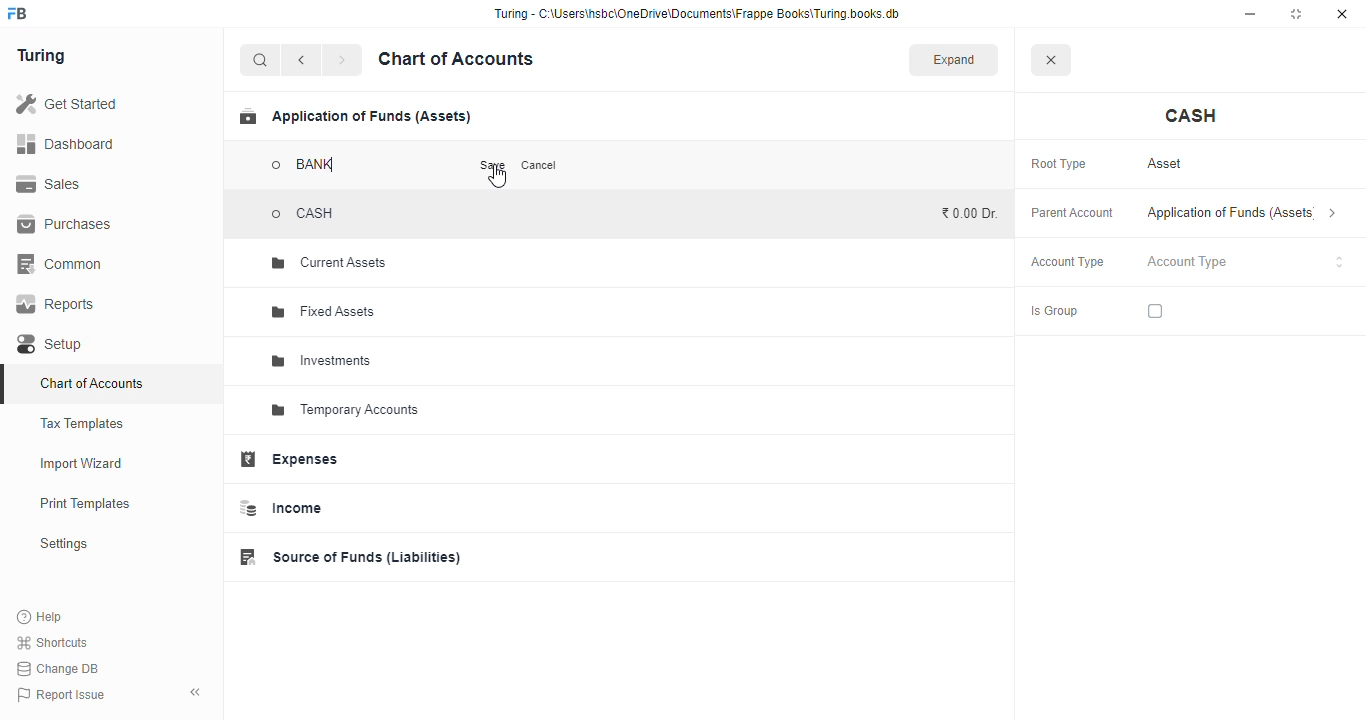 The height and width of the screenshot is (720, 1366). Describe the element at coordinates (288, 459) in the screenshot. I see `expenses` at that location.